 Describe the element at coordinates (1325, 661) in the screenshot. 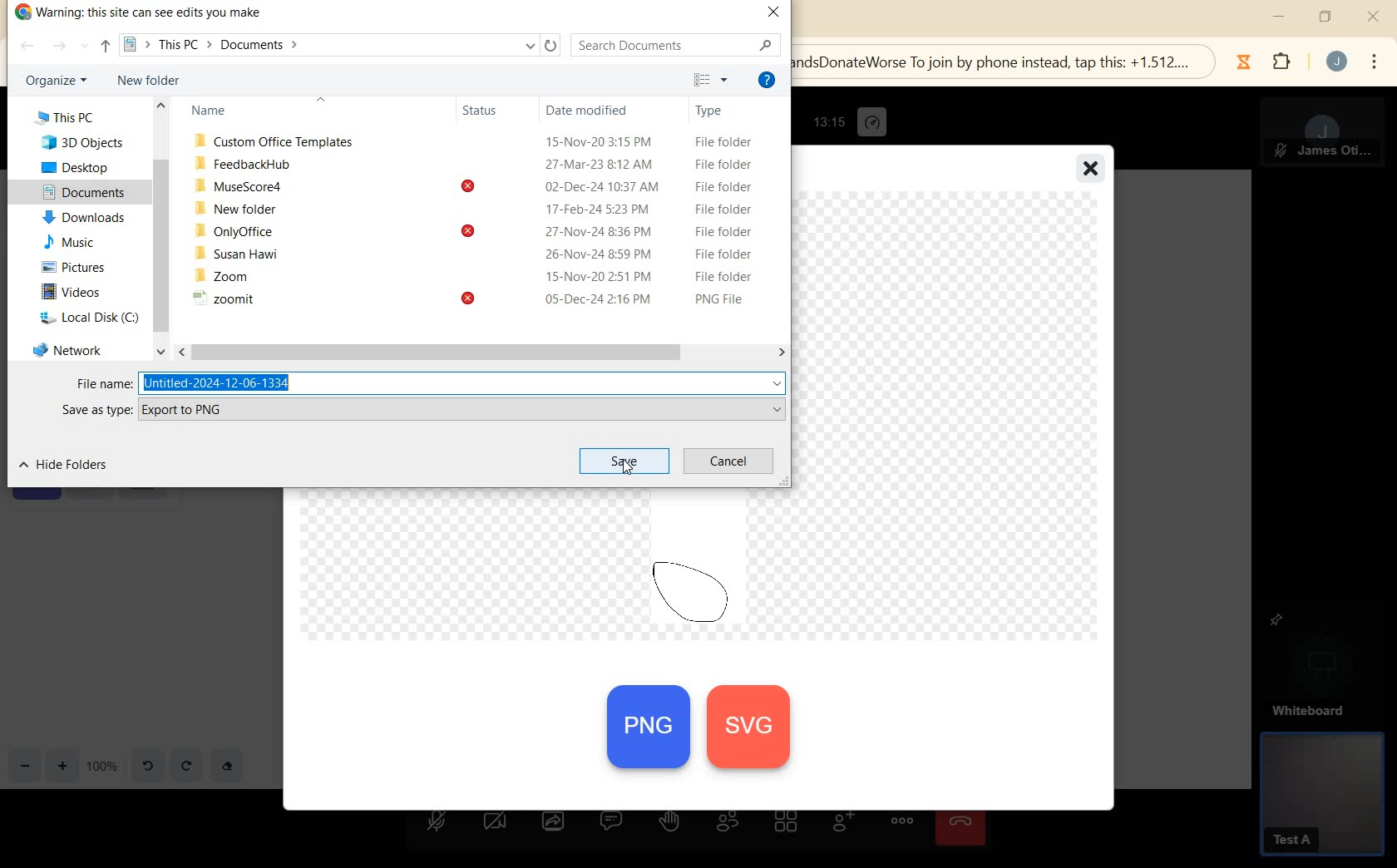

I see `WHITEBOARD PINNED` at that location.